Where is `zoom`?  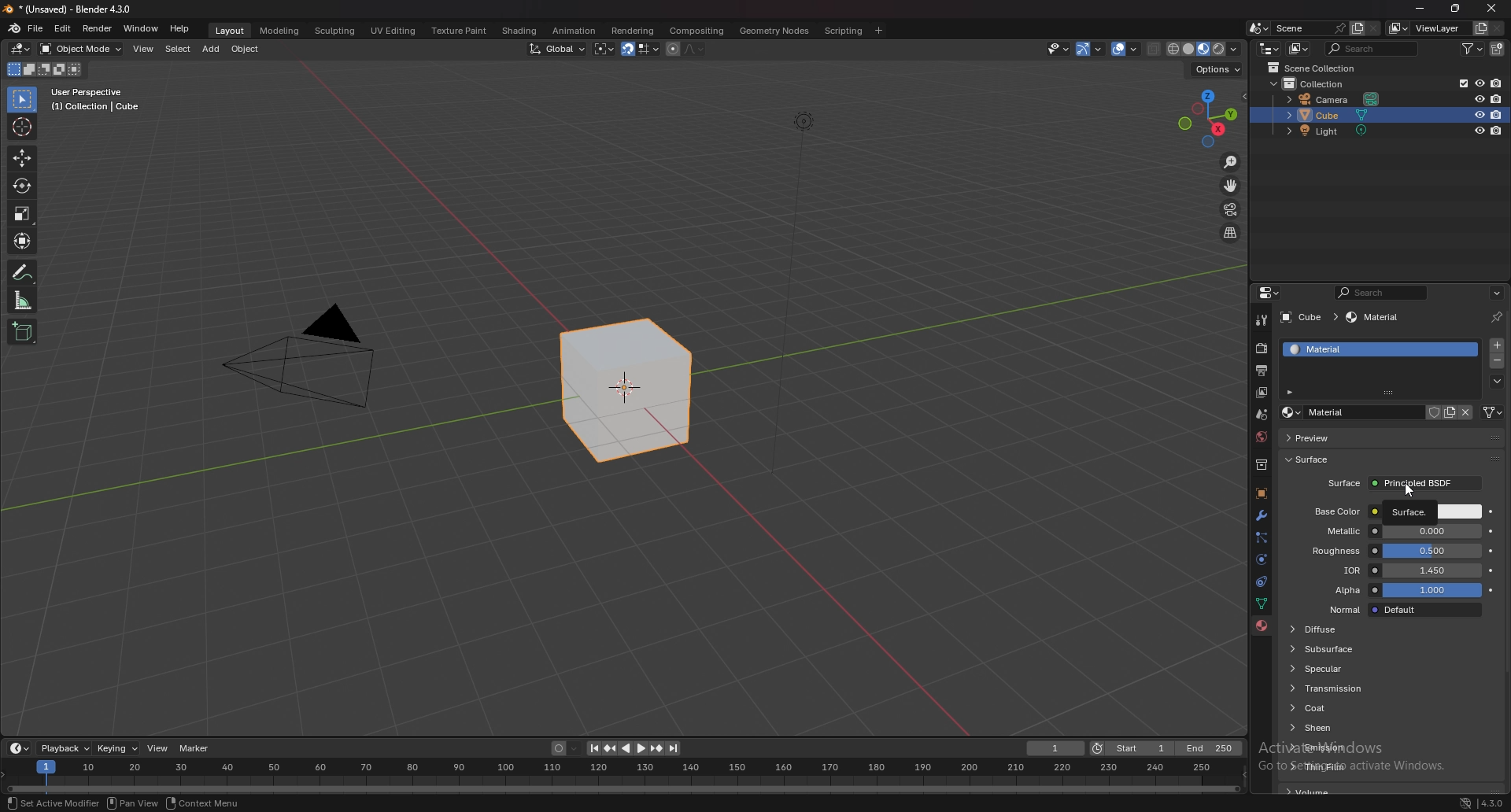 zoom is located at coordinates (1231, 164).